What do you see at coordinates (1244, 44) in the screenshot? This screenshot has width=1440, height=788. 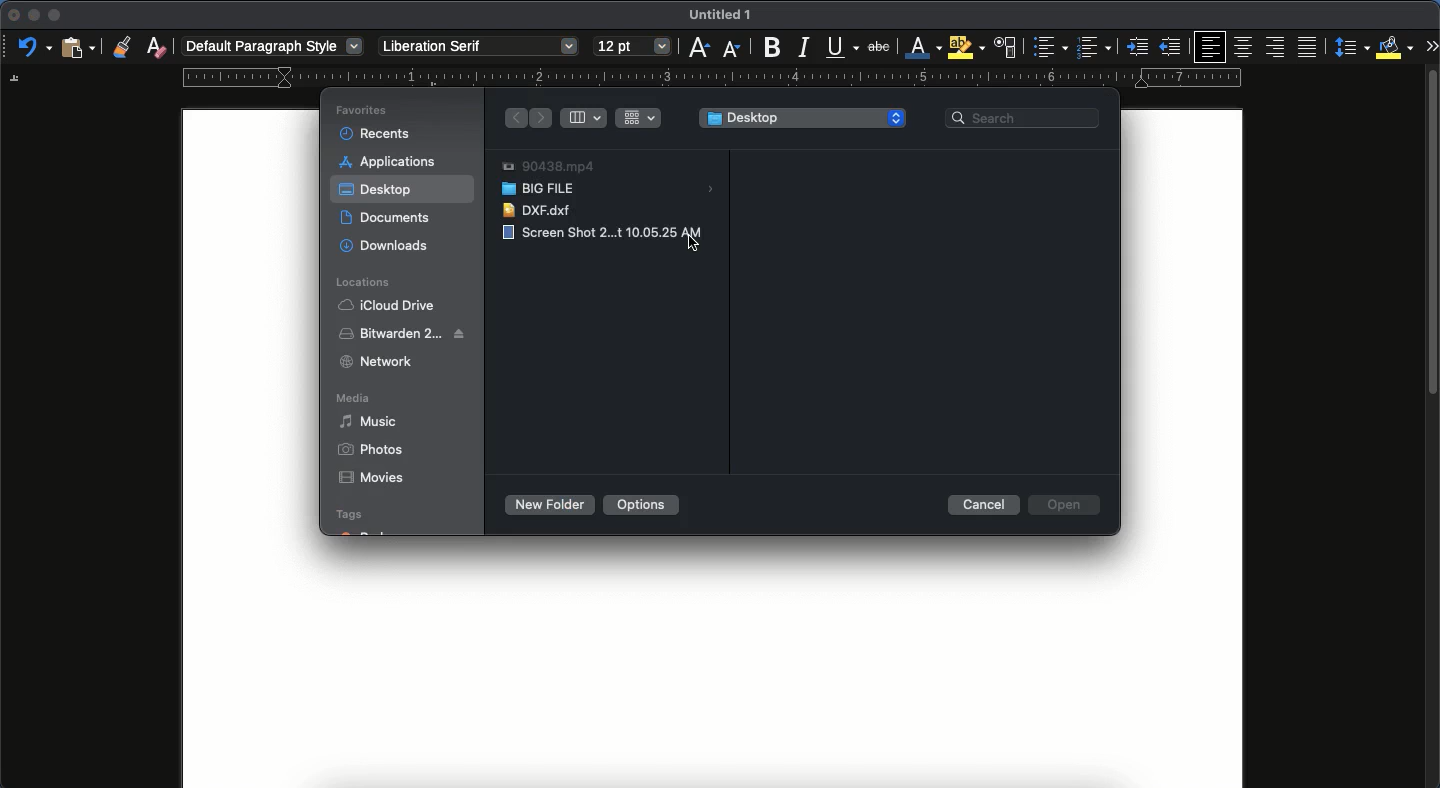 I see `center align` at bounding box center [1244, 44].